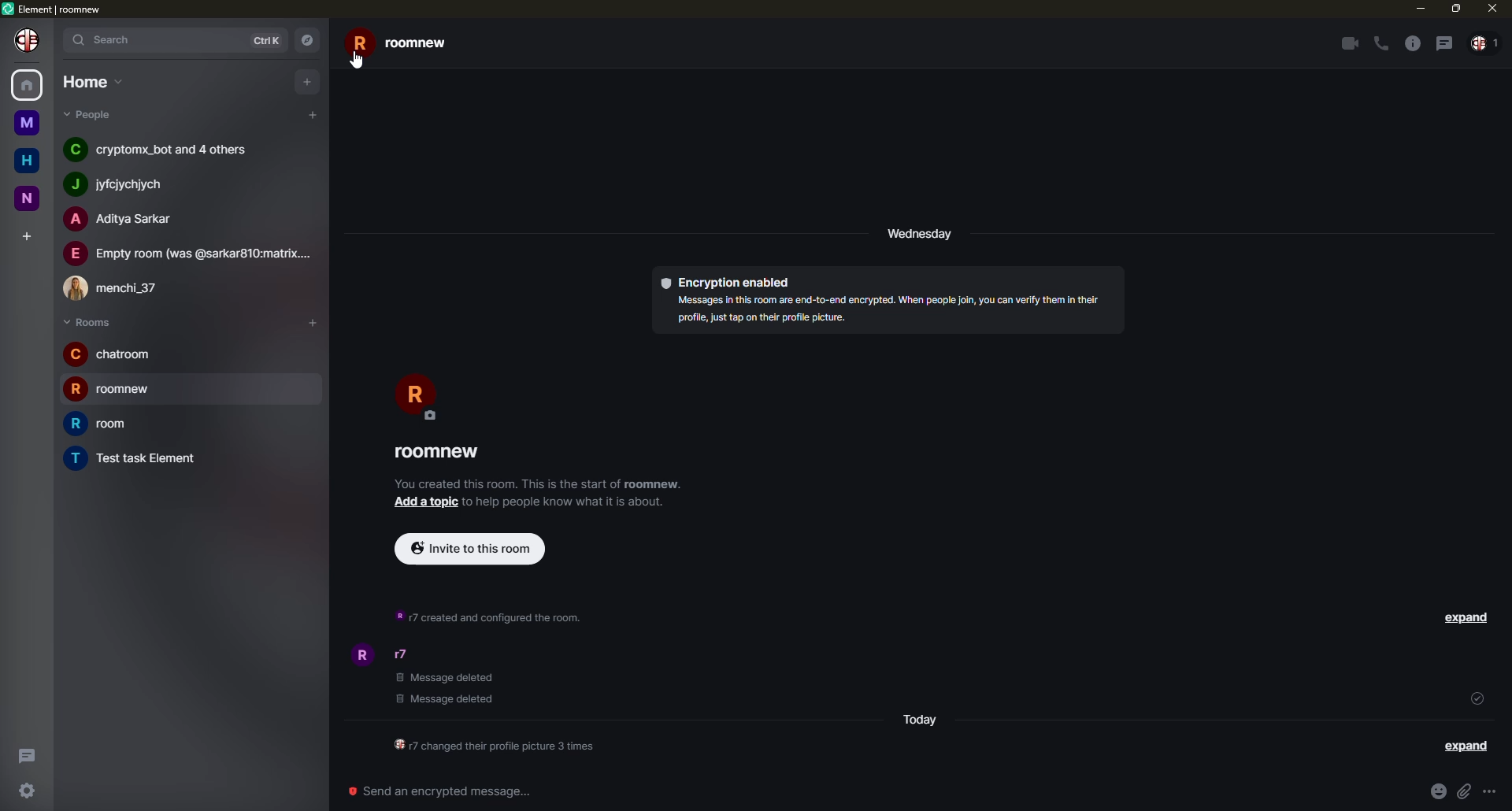 This screenshot has height=811, width=1512. What do you see at coordinates (469, 547) in the screenshot?
I see `invite to this room` at bounding box center [469, 547].